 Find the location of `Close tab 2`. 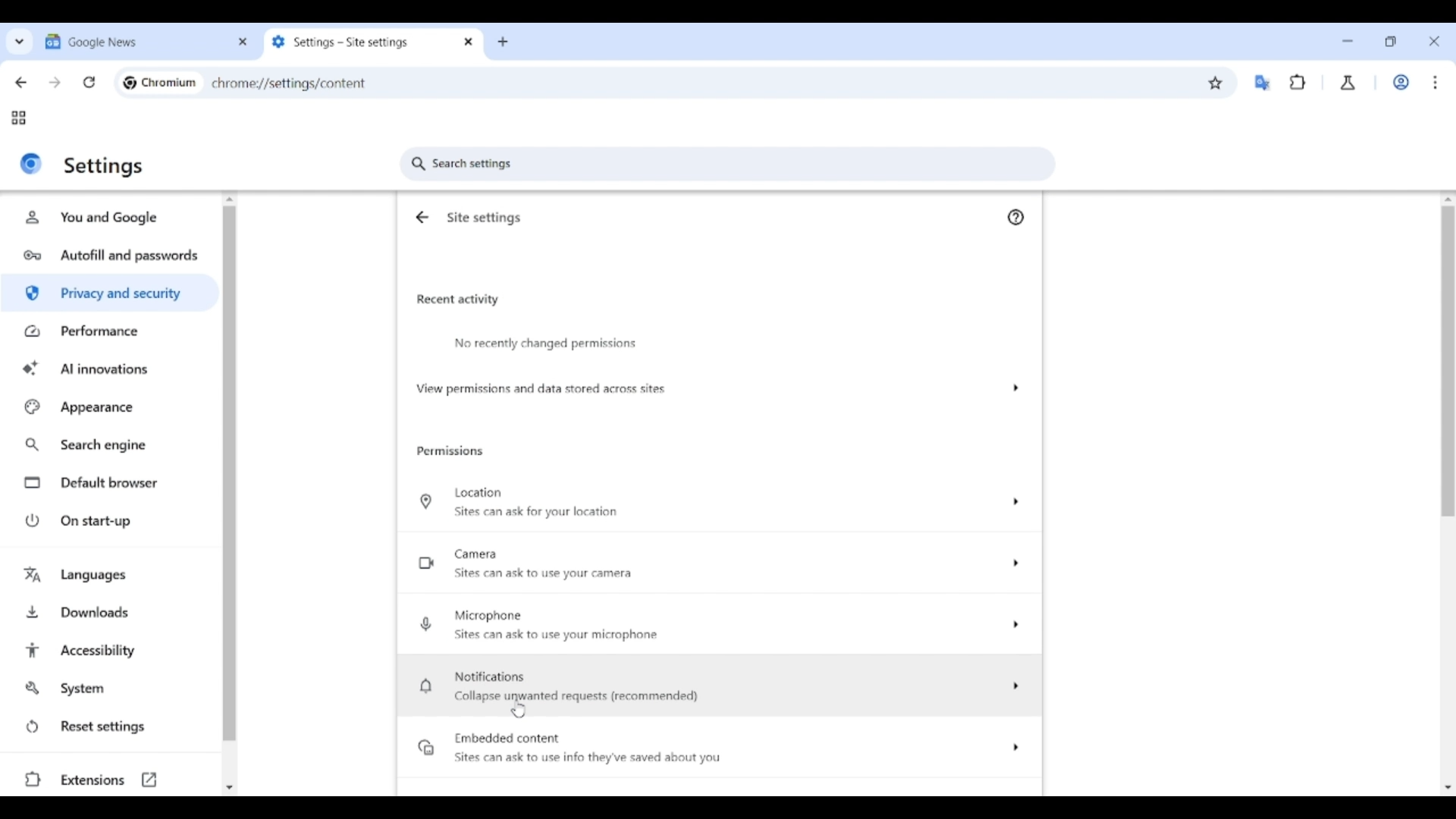

Close tab 2 is located at coordinates (469, 42).